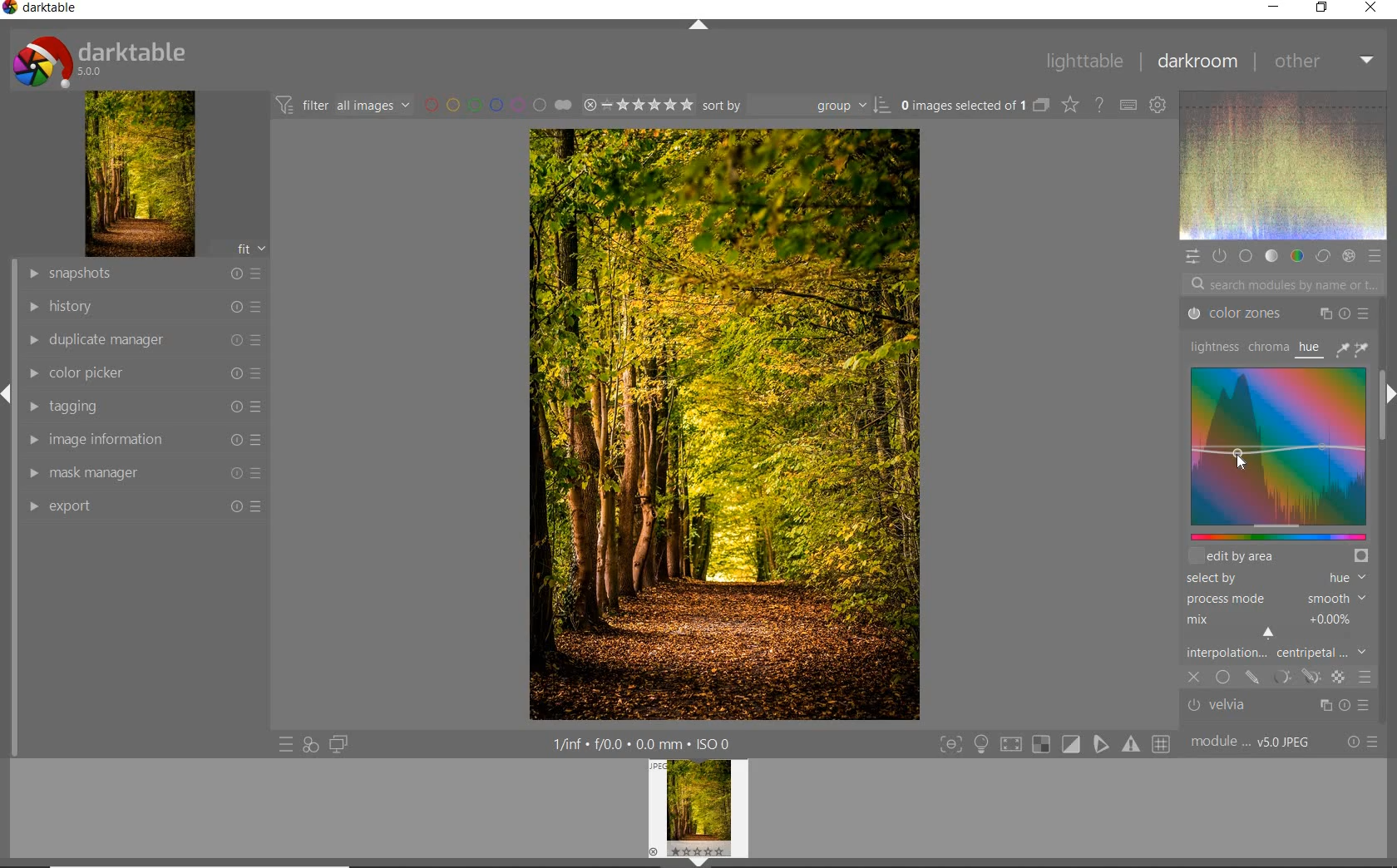 The height and width of the screenshot is (868, 1397). Describe the element at coordinates (1071, 105) in the screenshot. I see `CHANGE TYPE OVERRELAY` at that location.